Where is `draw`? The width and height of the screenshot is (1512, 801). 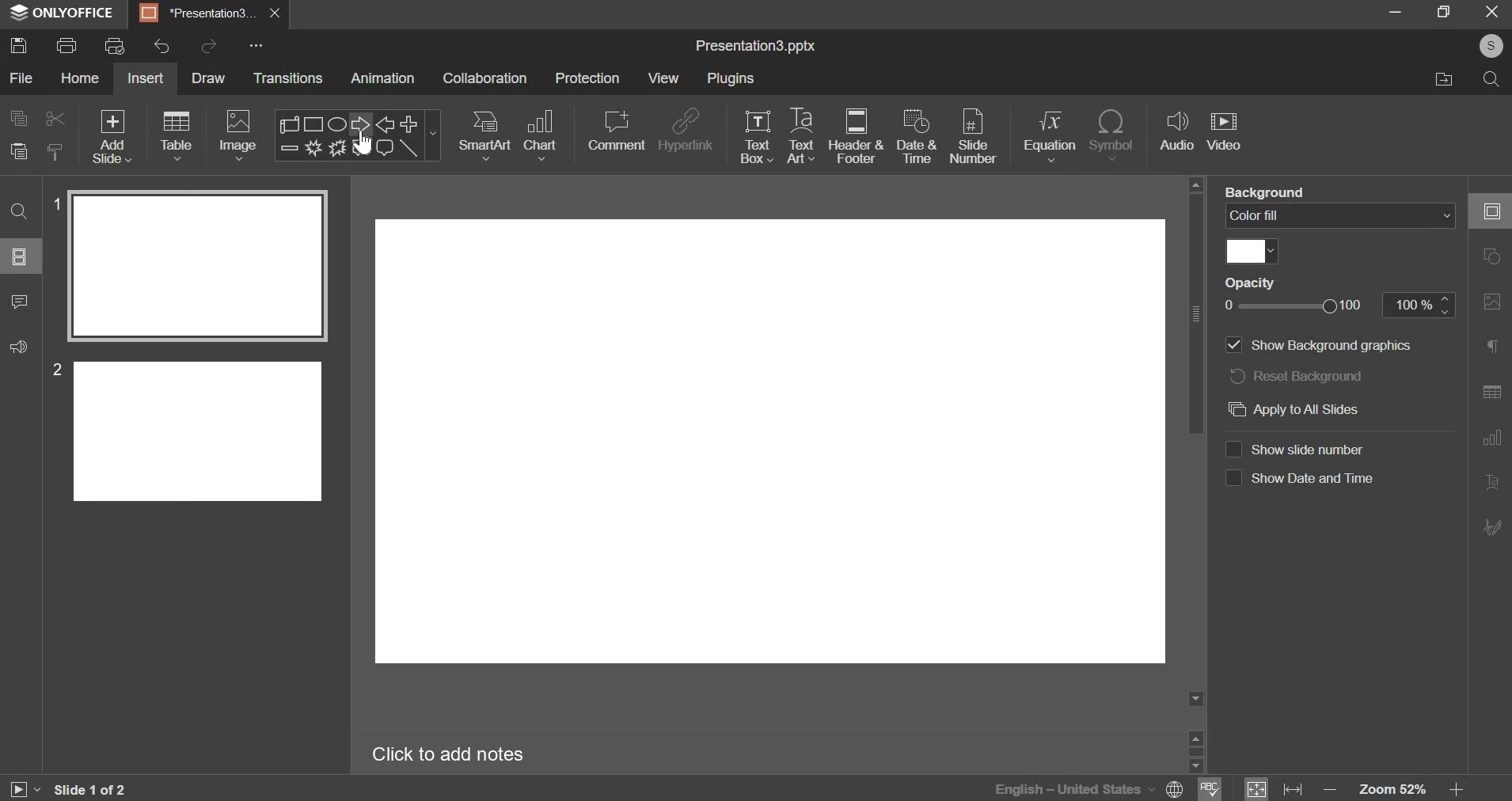
draw is located at coordinates (212, 80).